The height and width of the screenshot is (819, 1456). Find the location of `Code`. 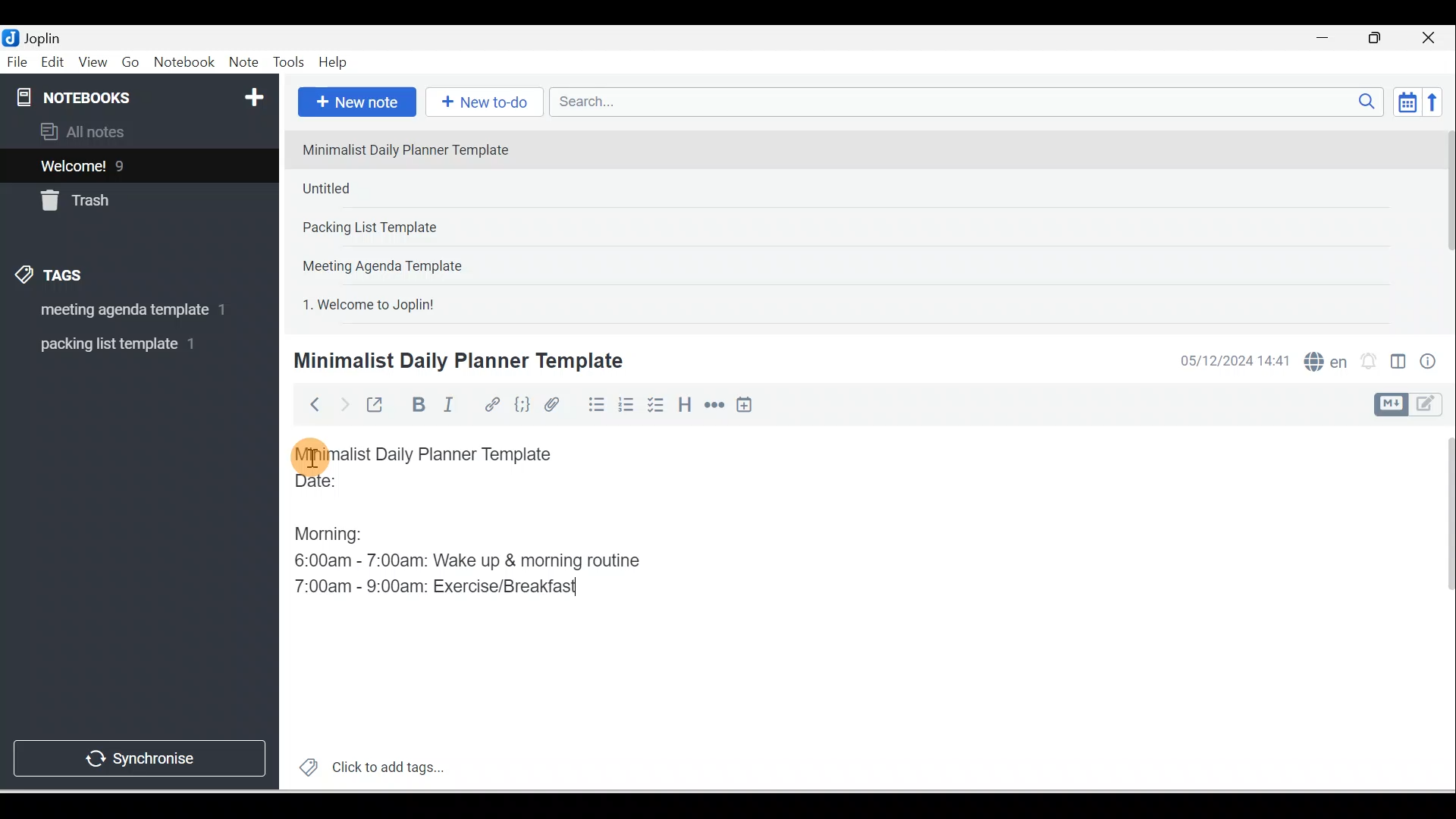

Code is located at coordinates (522, 406).